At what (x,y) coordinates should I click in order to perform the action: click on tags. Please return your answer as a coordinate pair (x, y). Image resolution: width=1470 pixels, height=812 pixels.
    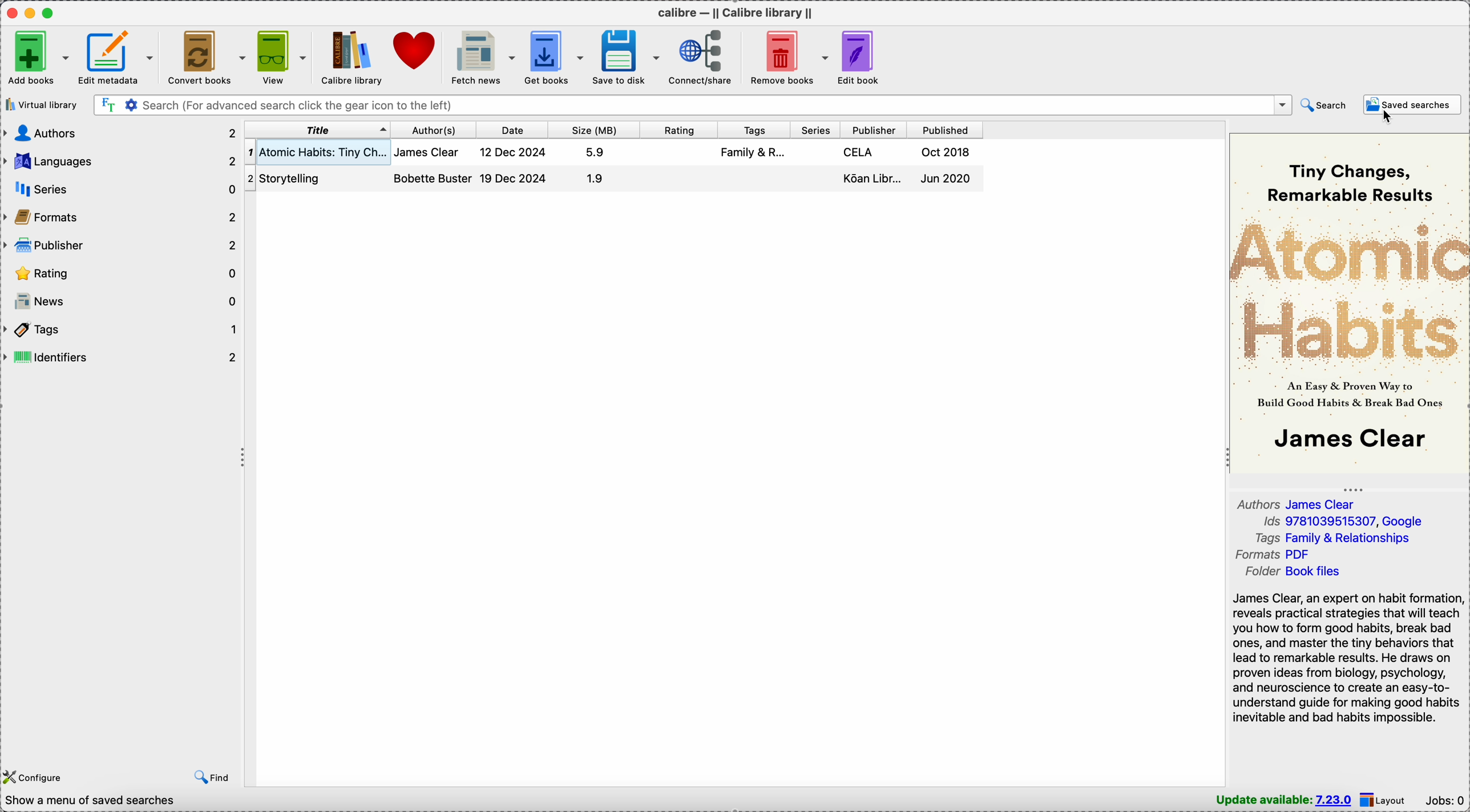
    Looking at the image, I should click on (122, 330).